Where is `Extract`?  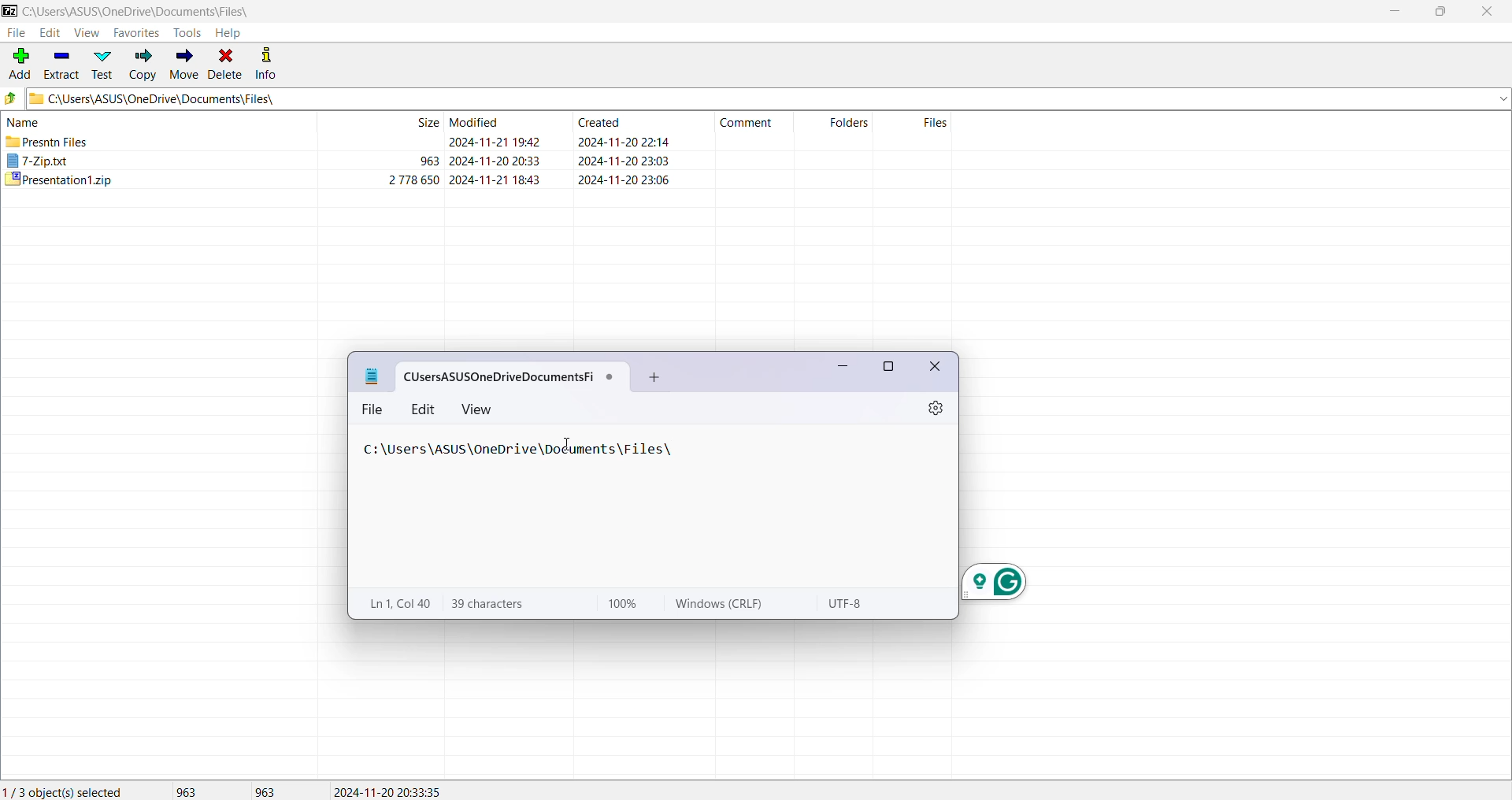
Extract is located at coordinates (61, 65).